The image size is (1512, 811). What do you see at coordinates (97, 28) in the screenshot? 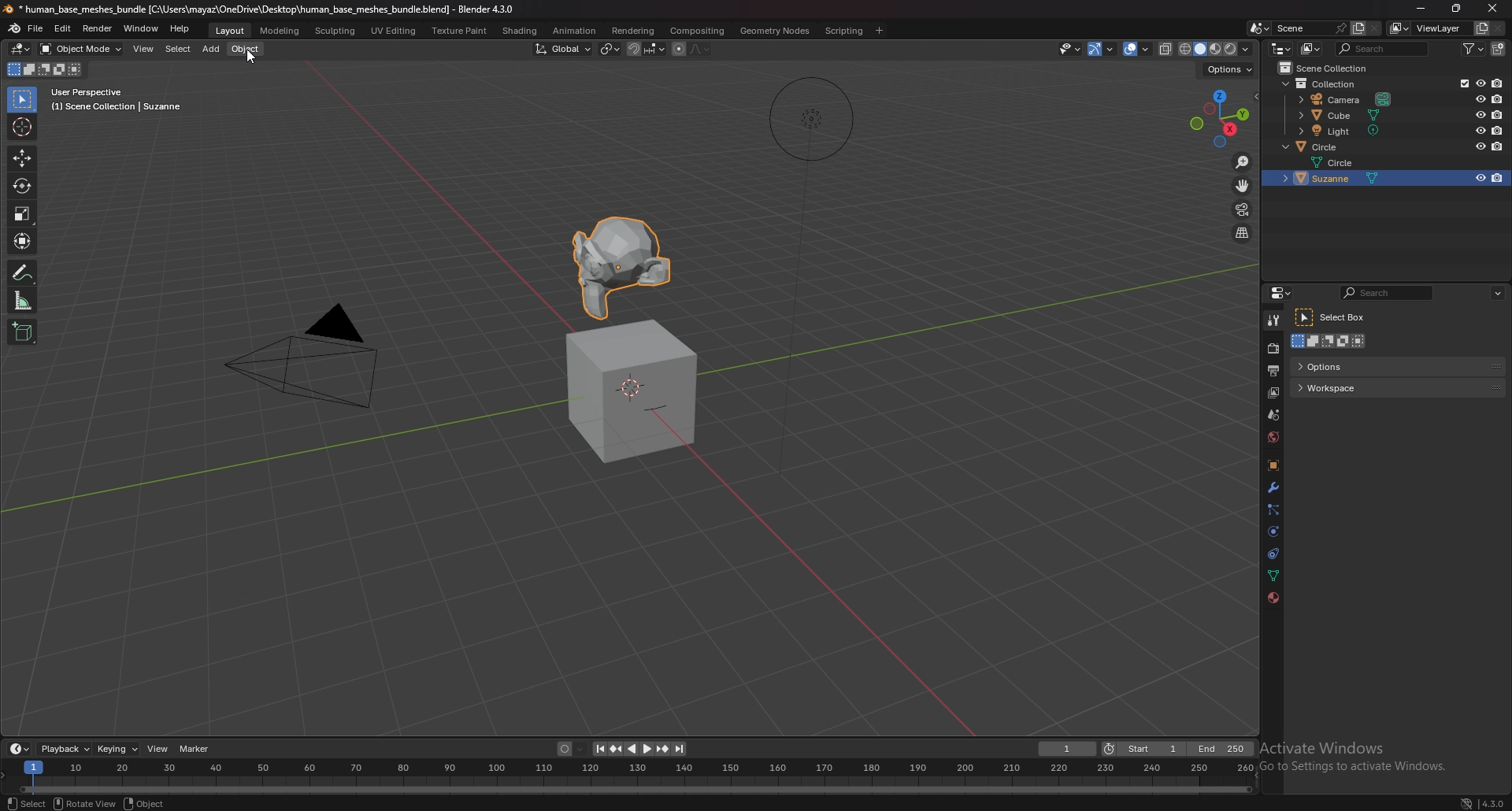
I see `render` at bounding box center [97, 28].